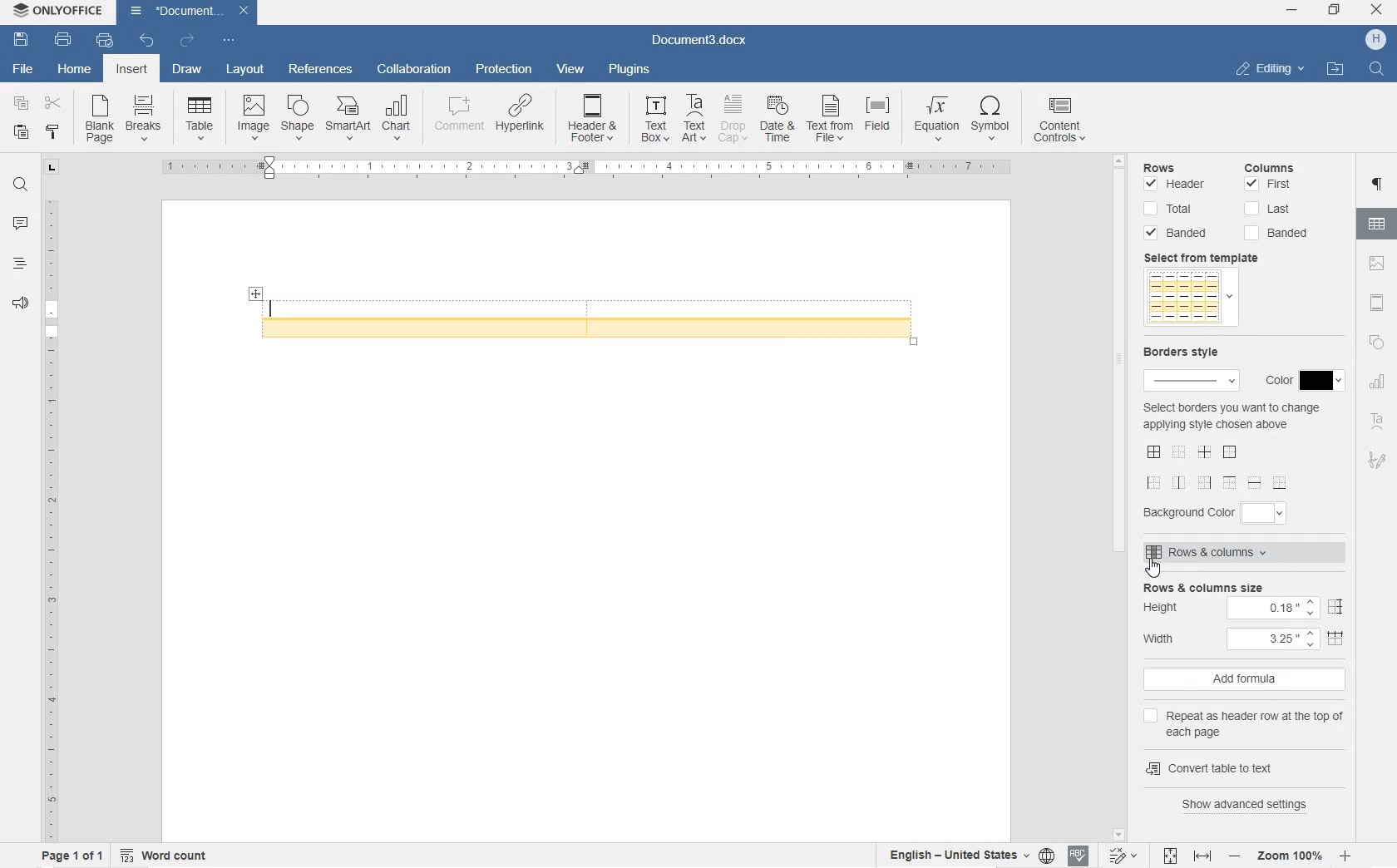 This screenshot has height=868, width=1397. I want to click on columns, so click(1278, 165).